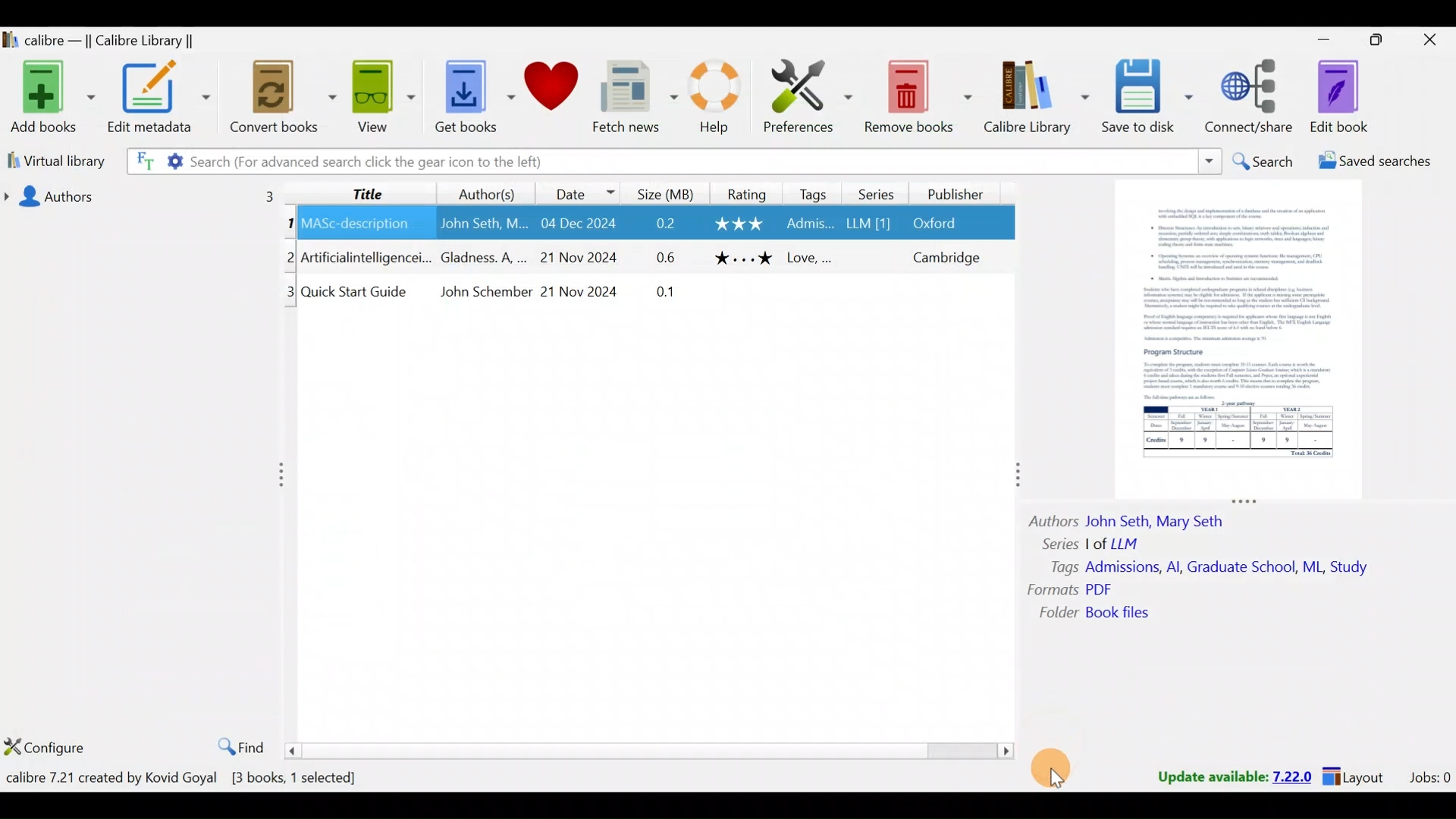  What do you see at coordinates (283, 477) in the screenshot?
I see `` at bounding box center [283, 477].